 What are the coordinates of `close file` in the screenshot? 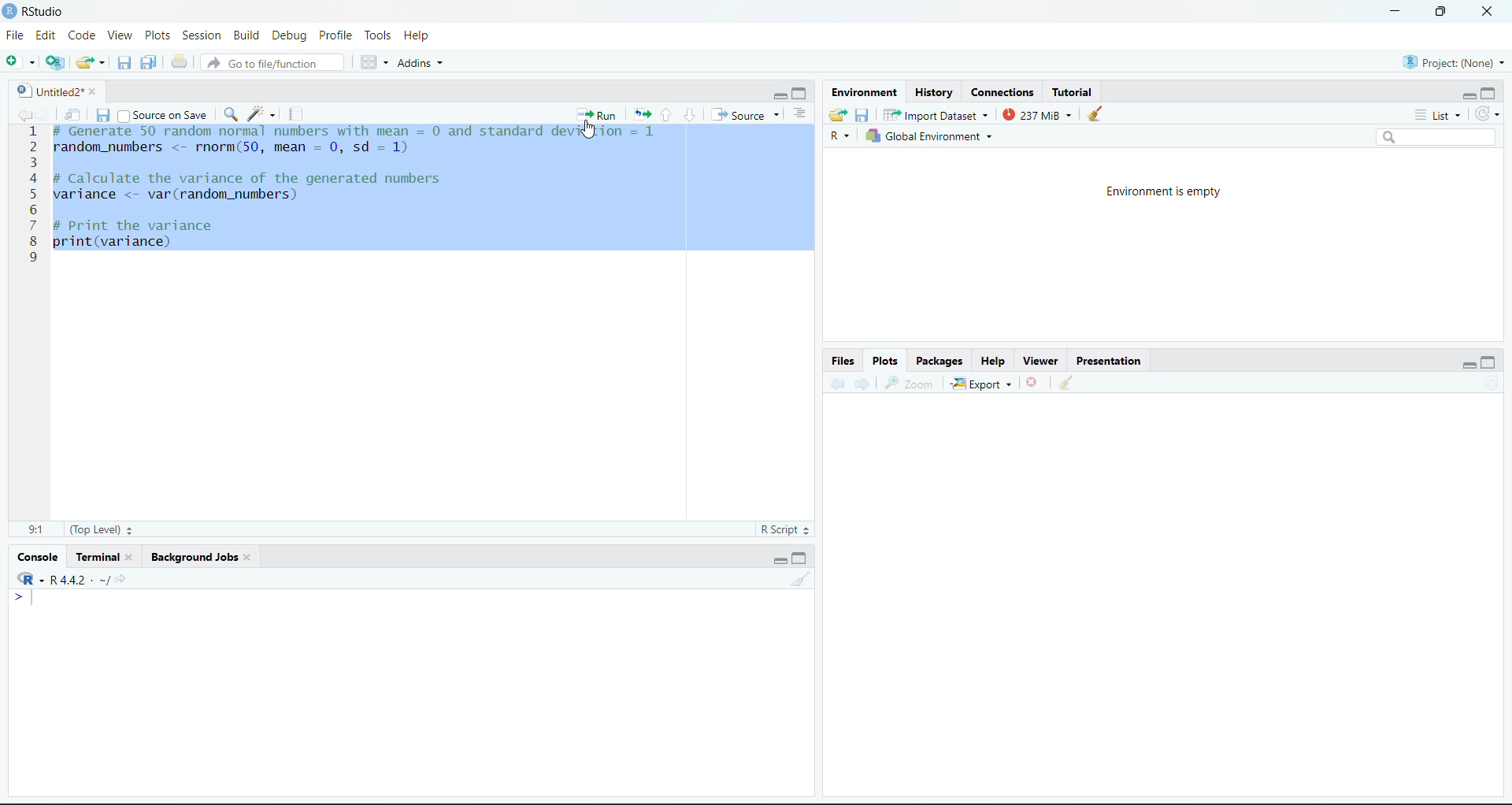 It's located at (1033, 382).